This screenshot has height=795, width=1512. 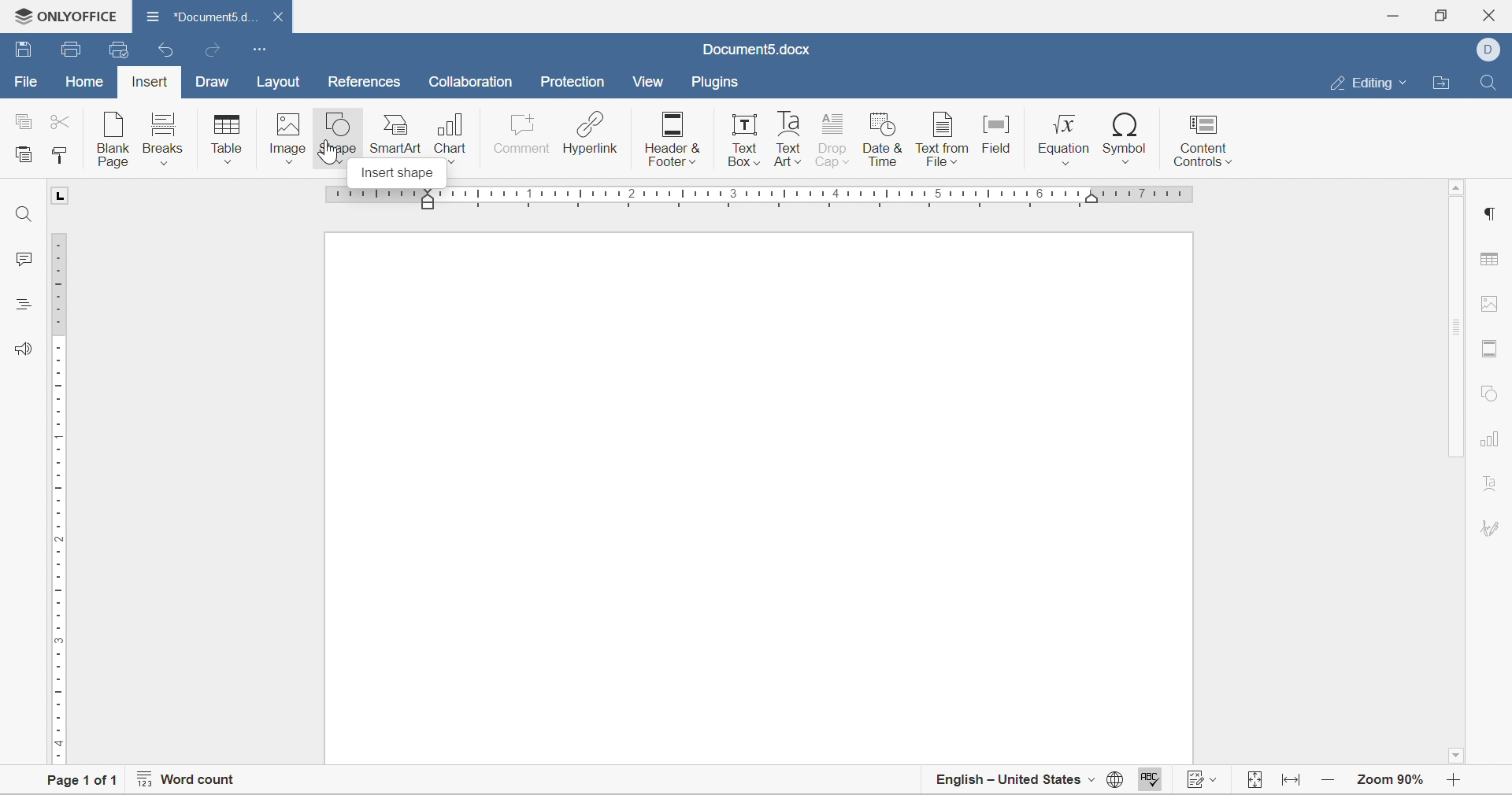 I want to click on set document language, so click(x=1117, y=782).